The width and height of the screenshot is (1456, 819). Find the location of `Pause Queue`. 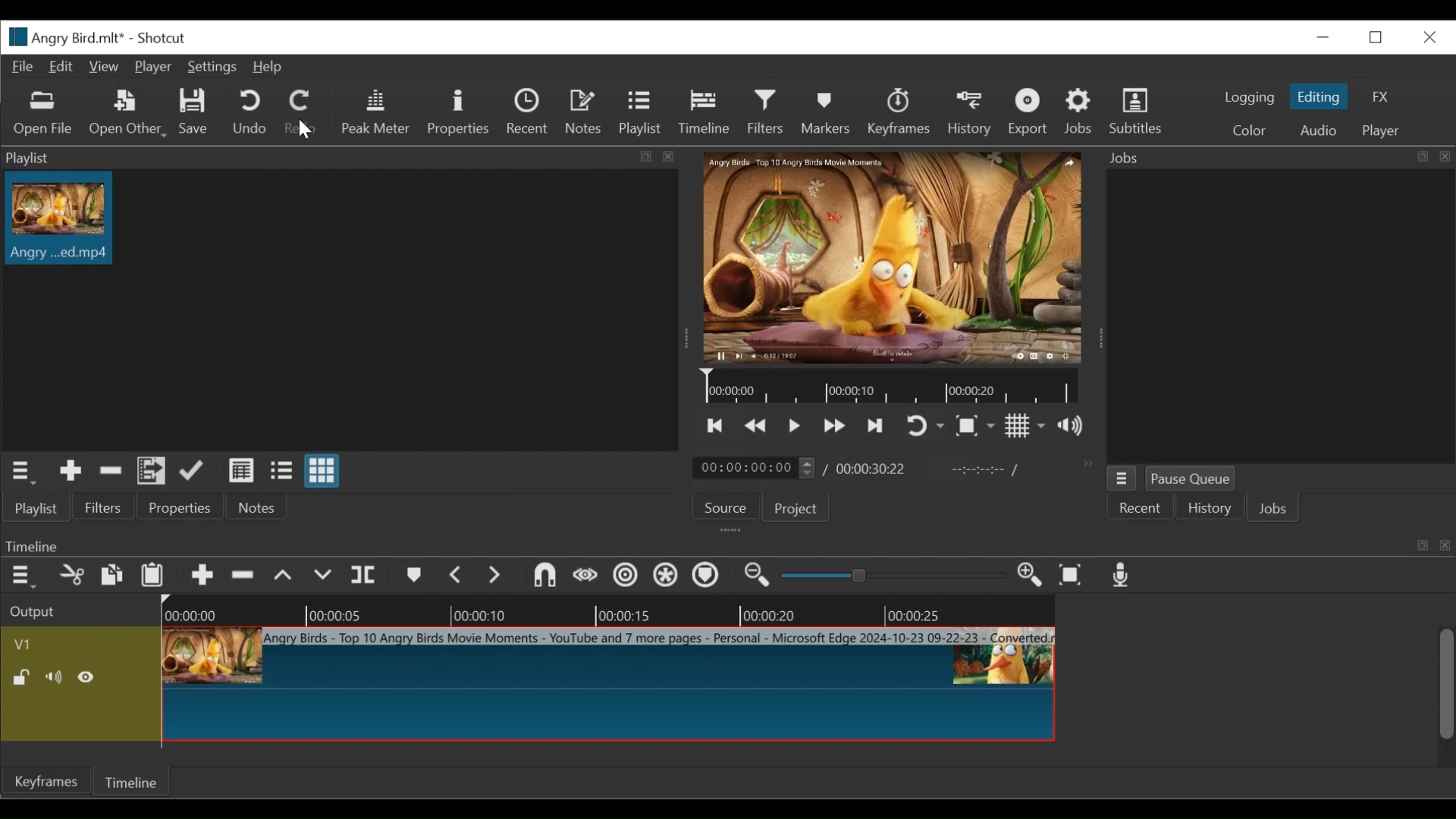

Pause Queue is located at coordinates (1193, 479).